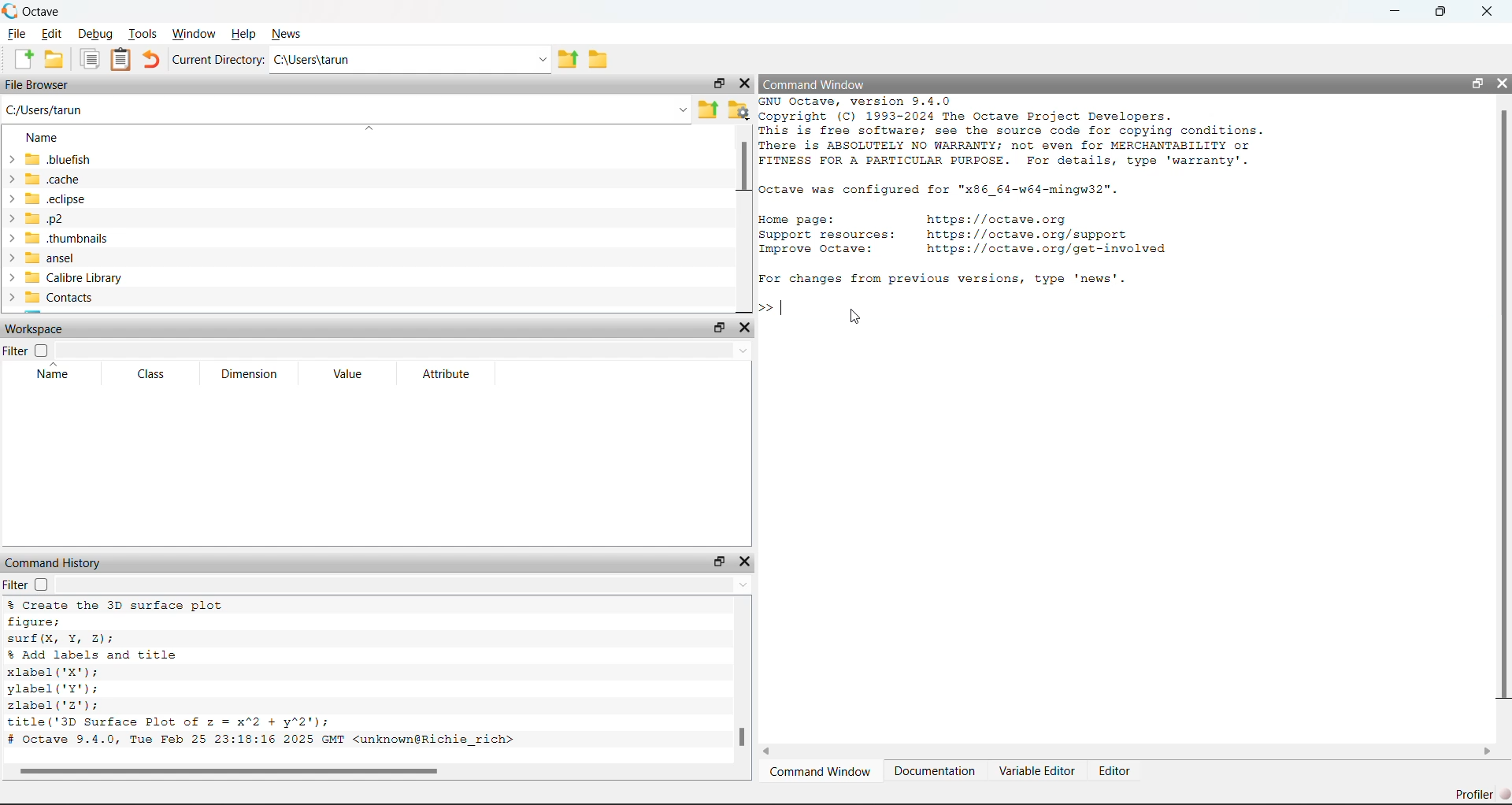  I want to click on zlabel('2');, so click(57, 705).